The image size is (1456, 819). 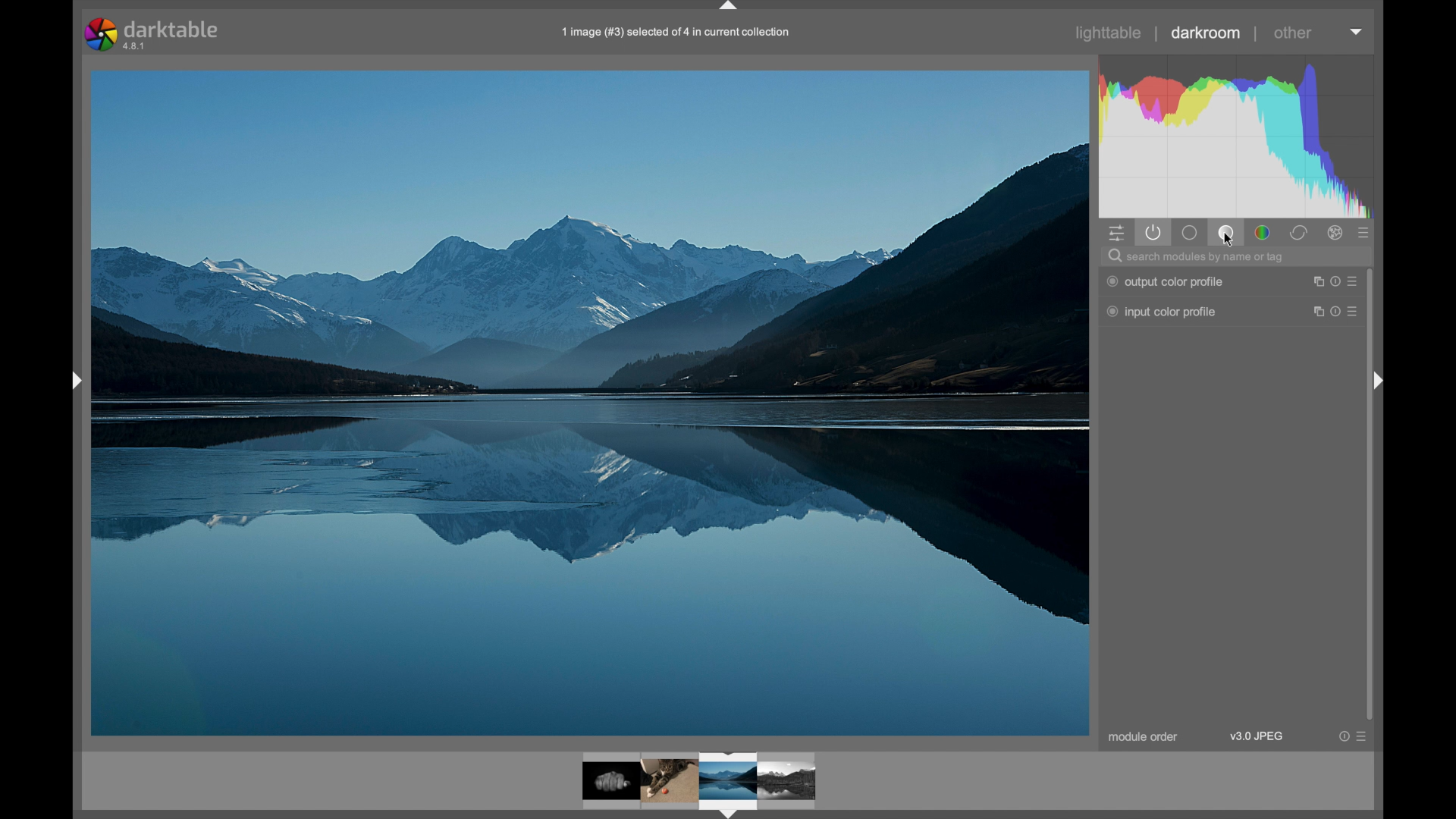 What do you see at coordinates (1230, 240) in the screenshot?
I see `ćursor` at bounding box center [1230, 240].